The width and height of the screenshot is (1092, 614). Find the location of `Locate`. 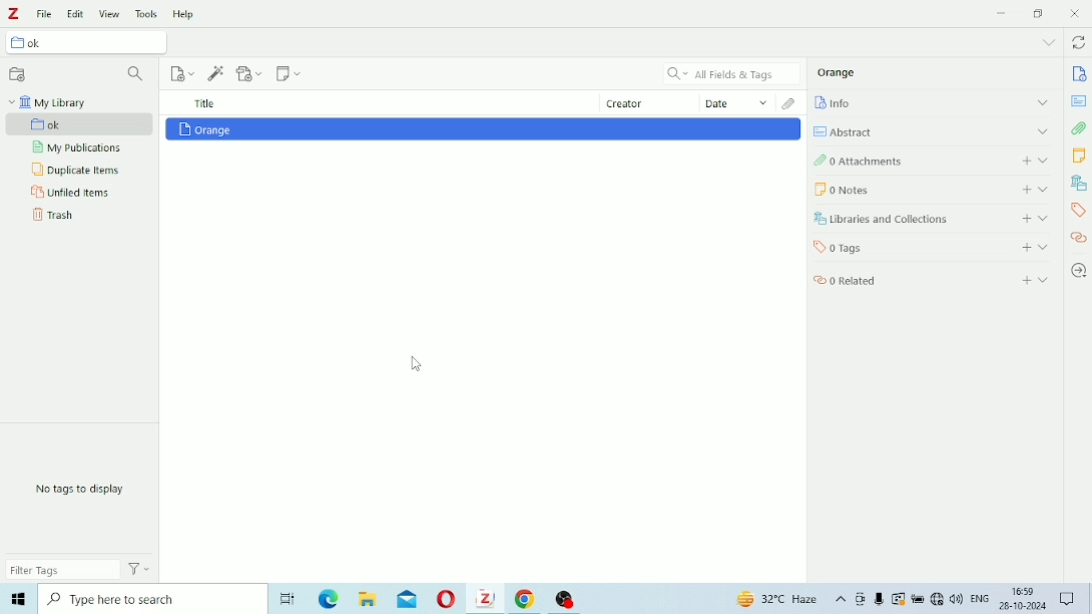

Locate is located at coordinates (1078, 271).